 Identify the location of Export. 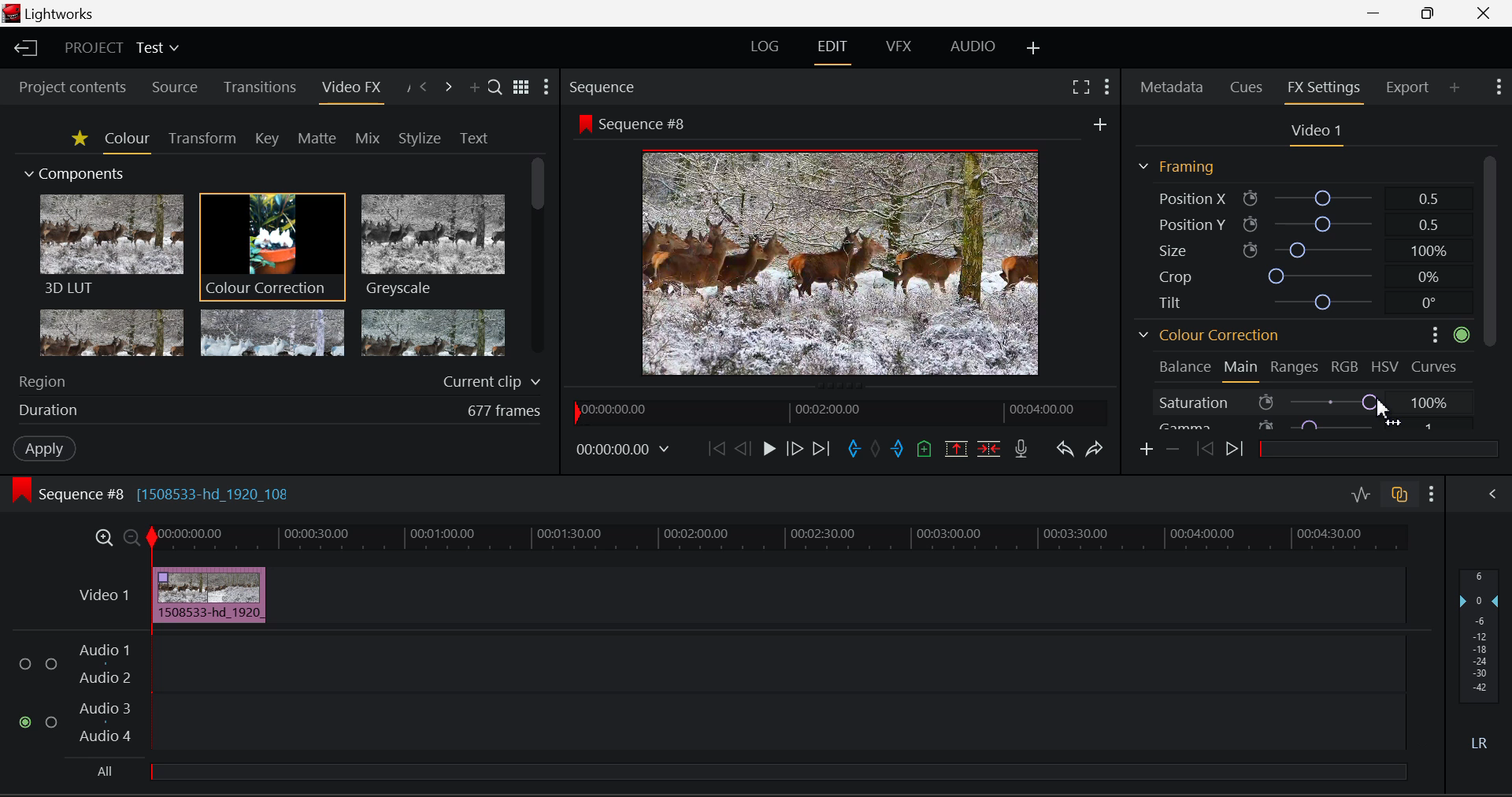
(1408, 87).